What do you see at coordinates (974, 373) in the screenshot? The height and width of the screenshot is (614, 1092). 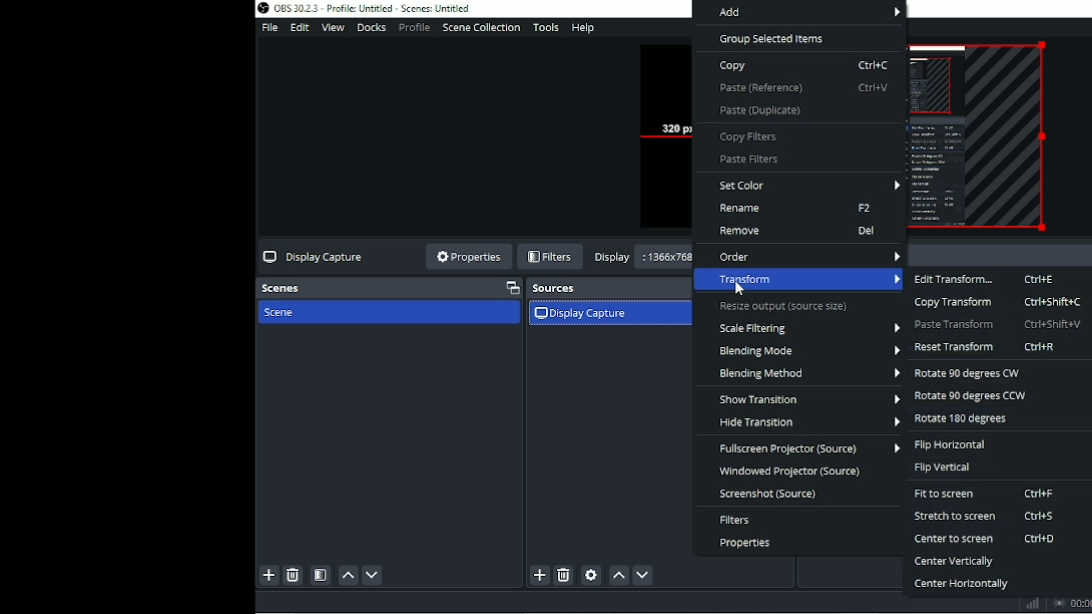 I see `Rotate 90 degrees CW` at bounding box center [974, 373].